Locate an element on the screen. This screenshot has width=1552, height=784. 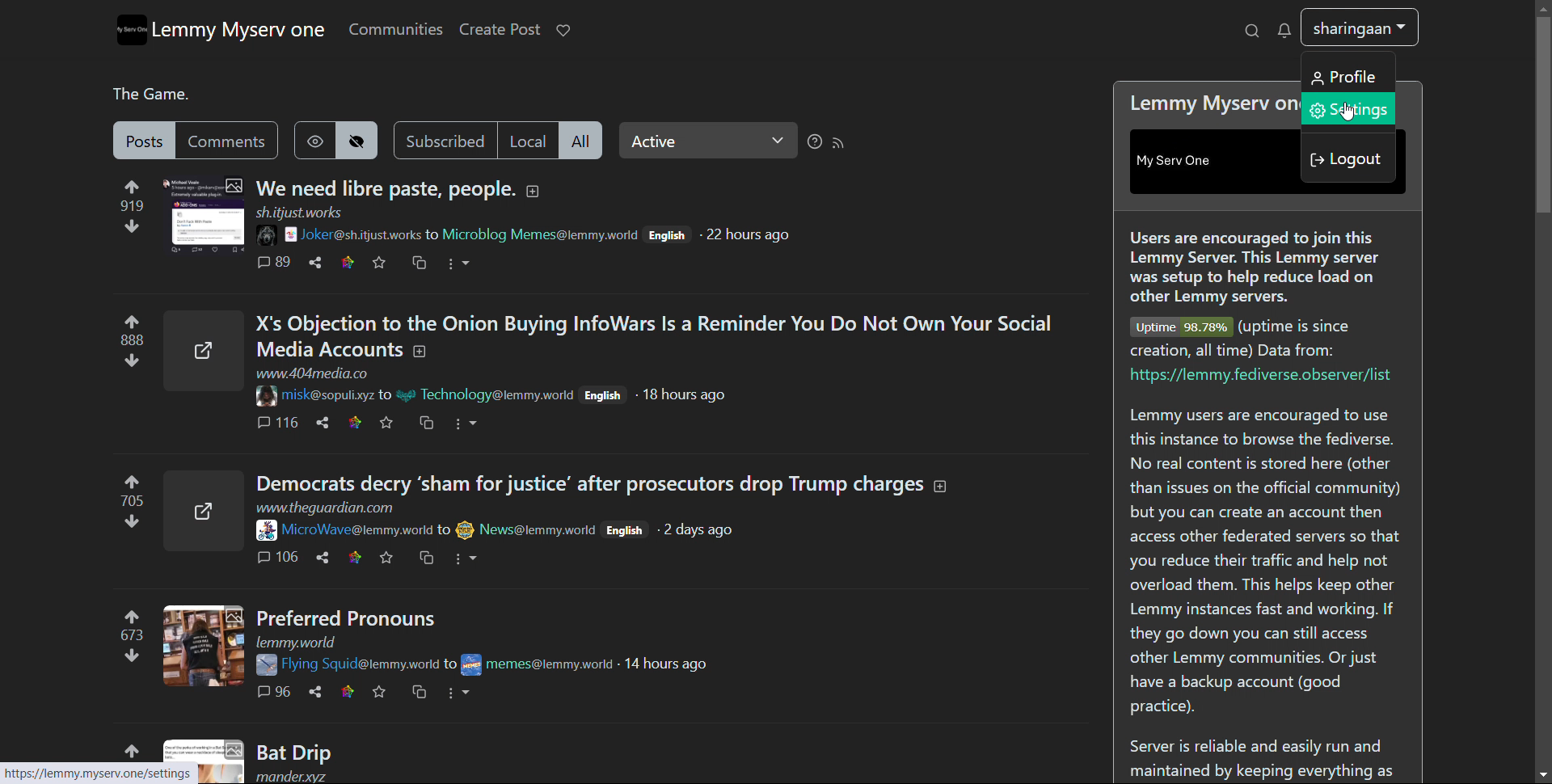
poster display picture is located at coordinates (263, 397).